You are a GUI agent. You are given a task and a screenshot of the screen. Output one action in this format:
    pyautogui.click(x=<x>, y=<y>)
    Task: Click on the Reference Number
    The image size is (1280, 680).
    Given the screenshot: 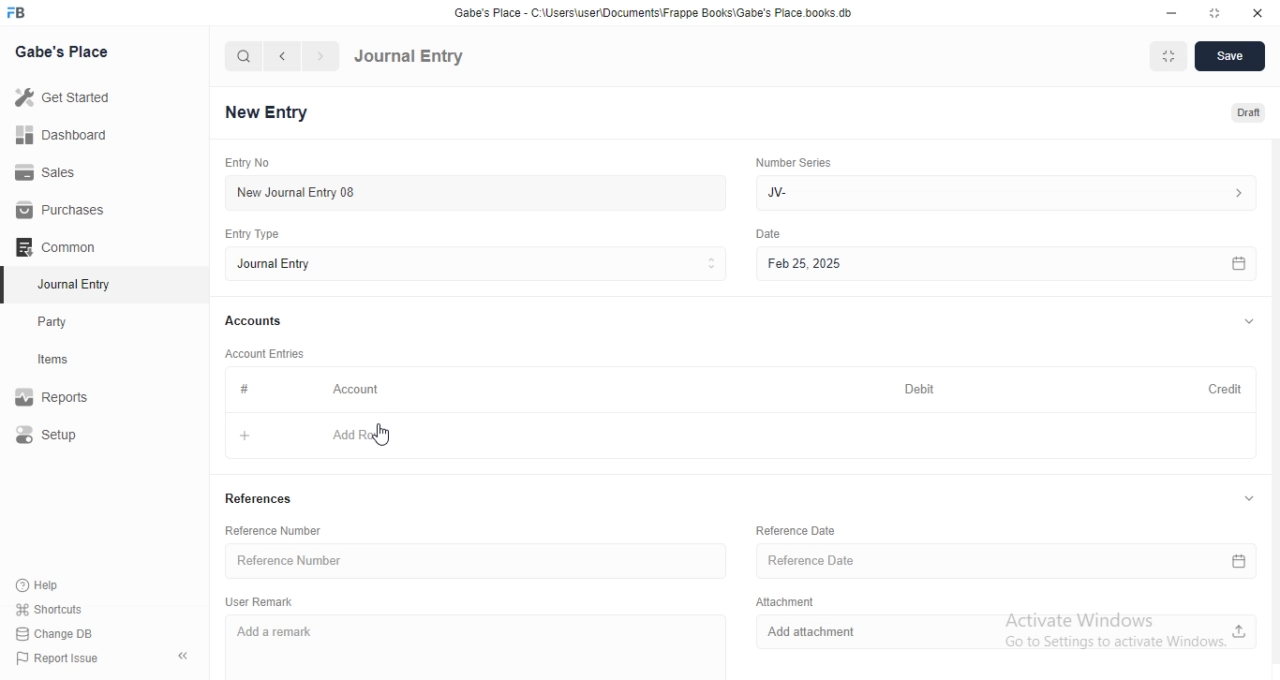 What is the action you would take?
    pyautogui.click(x=479, y=559)
    